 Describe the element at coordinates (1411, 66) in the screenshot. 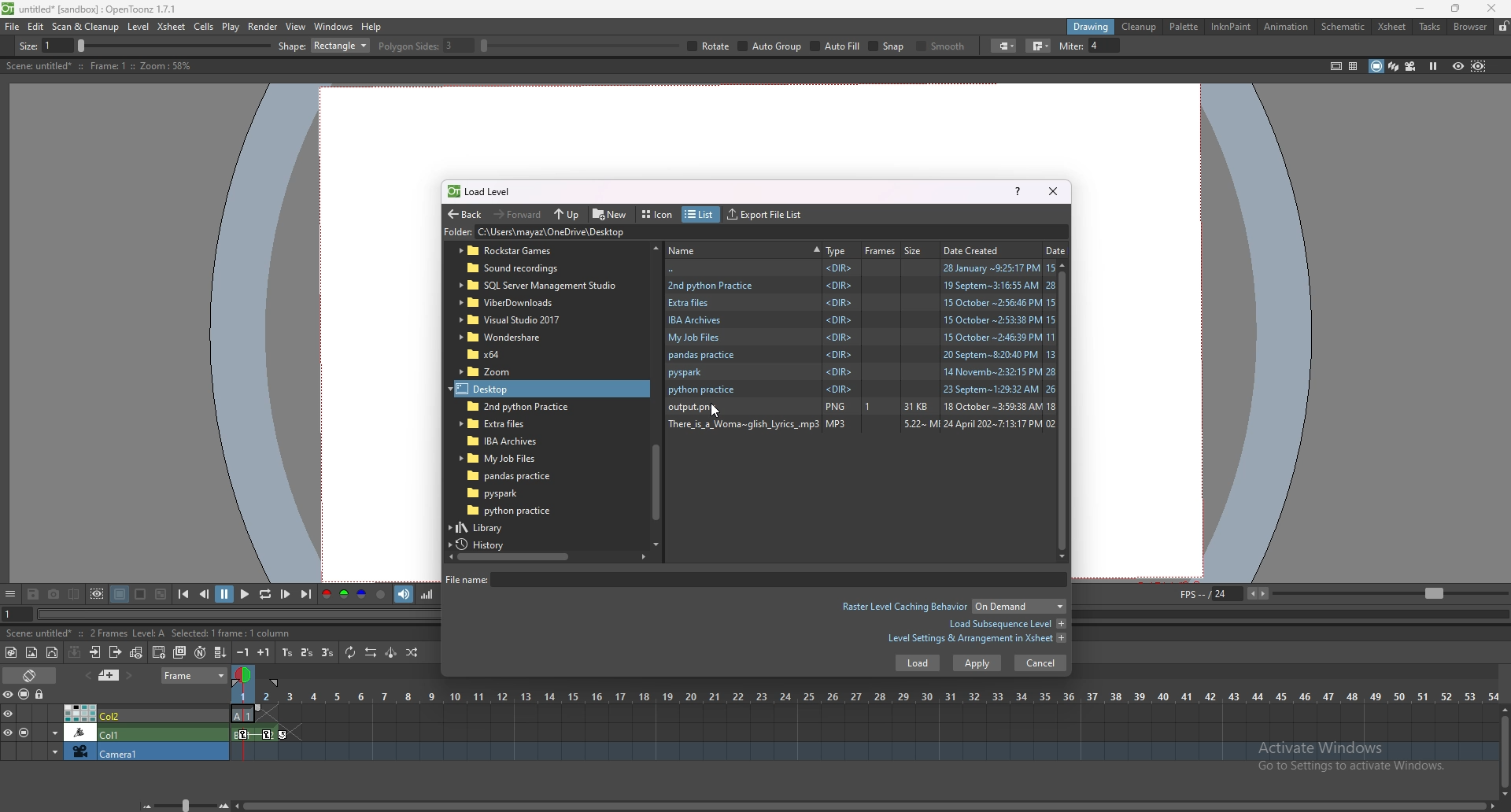

I see `camera view` at that location.